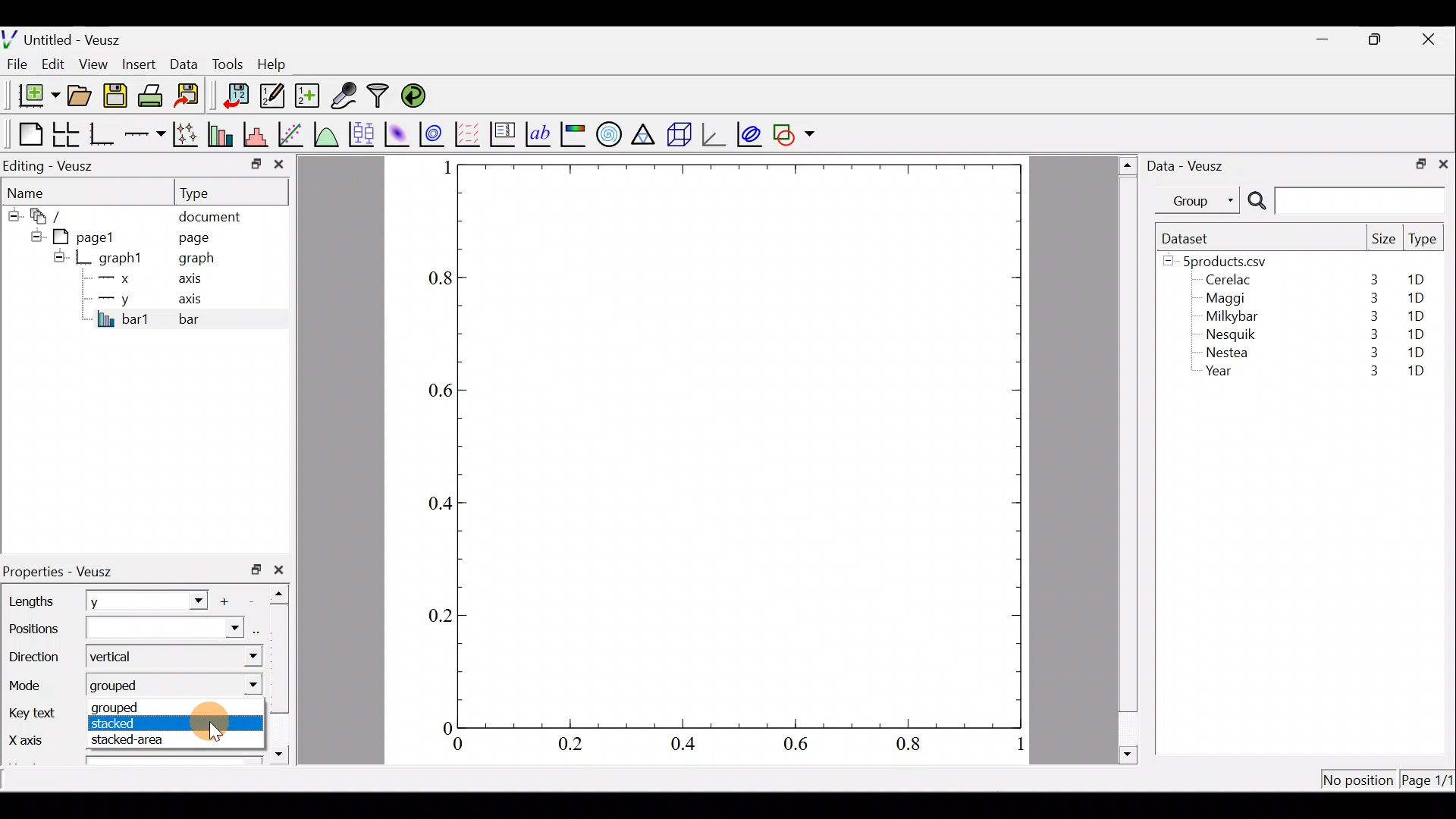  What do you see at coordinates (54, 214) in the screenshot?
I see `document widget` at bounding box center [54, 214].